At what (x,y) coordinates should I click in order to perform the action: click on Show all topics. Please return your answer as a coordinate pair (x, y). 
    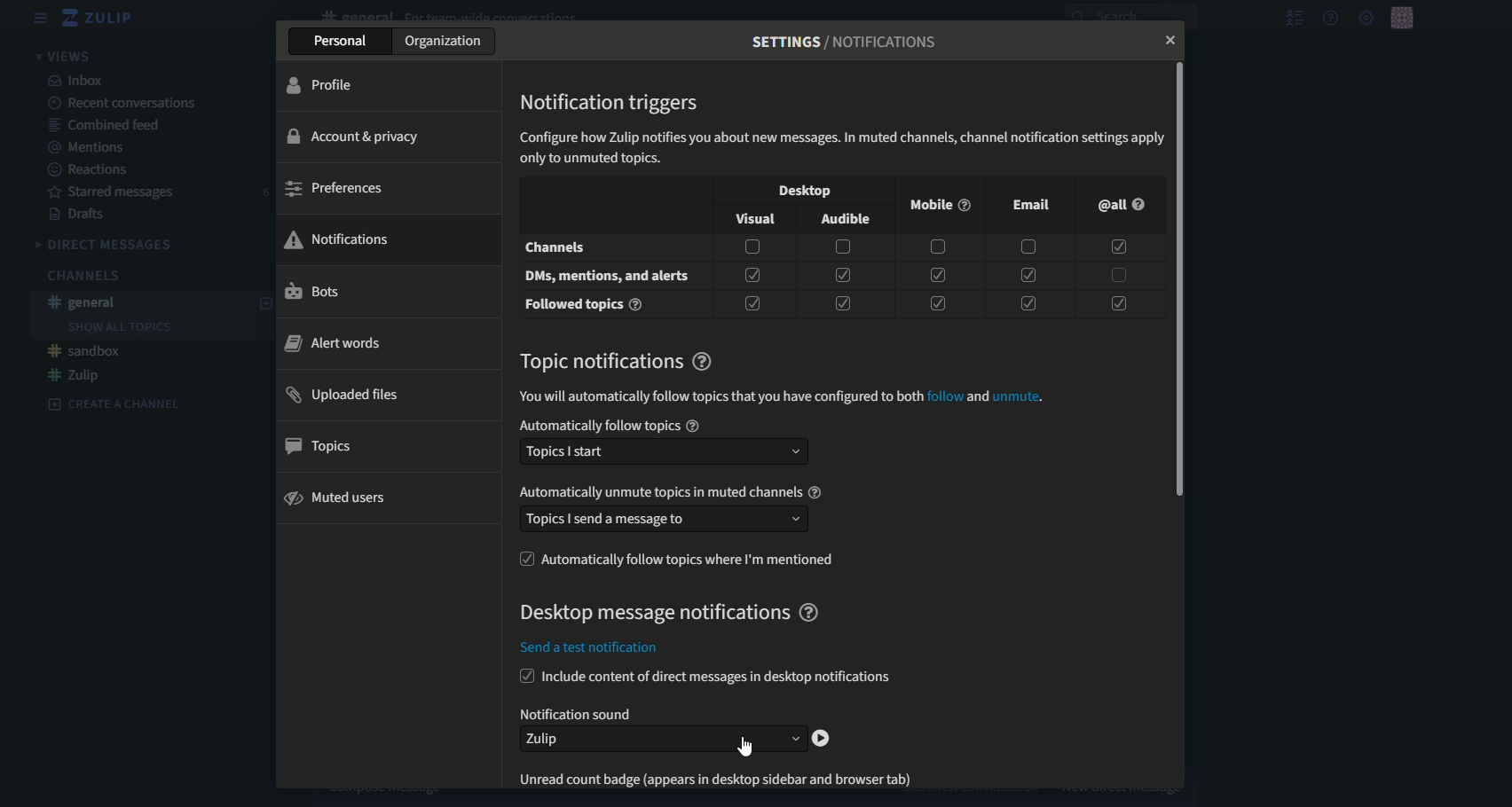
    Looking at the image, I should click on (119, 327).